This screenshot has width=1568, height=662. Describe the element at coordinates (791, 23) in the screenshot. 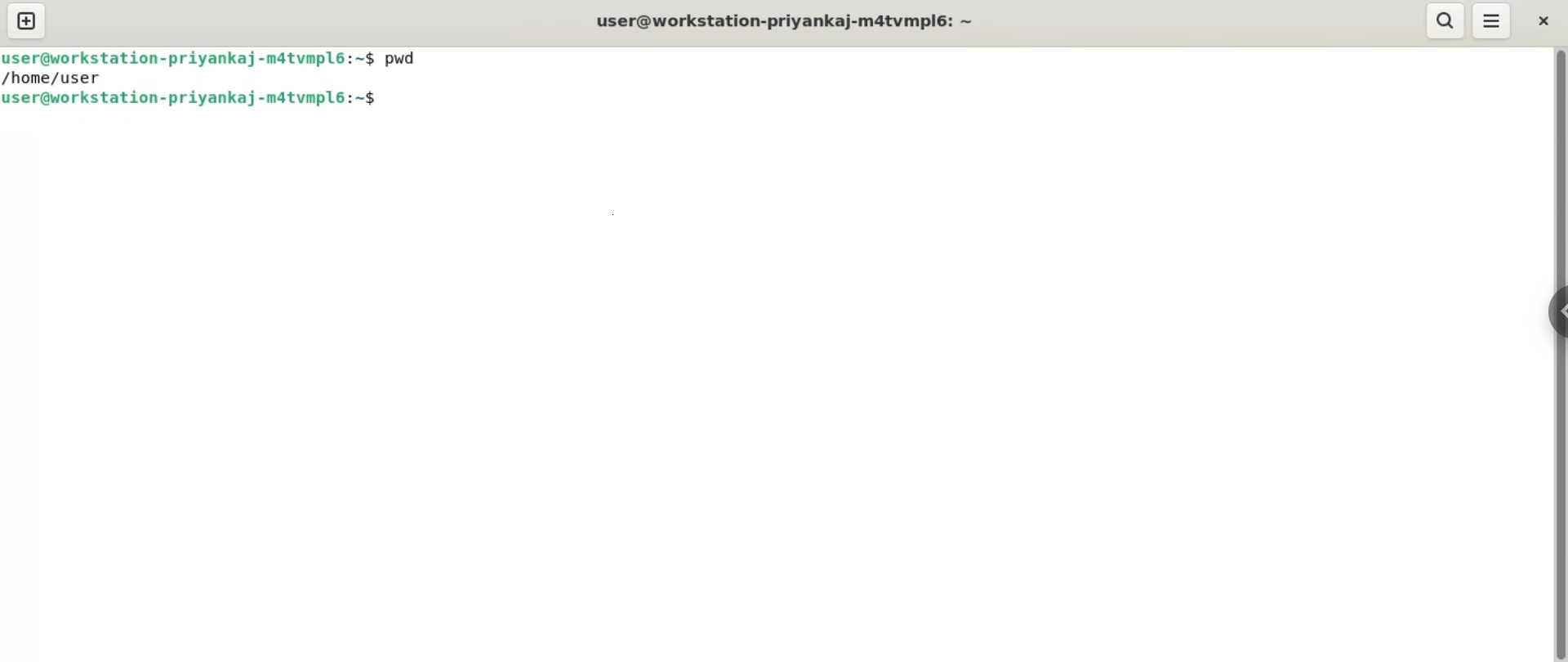

I see `user@workstation-priyanka-m4tvmpl6:~` at that location.